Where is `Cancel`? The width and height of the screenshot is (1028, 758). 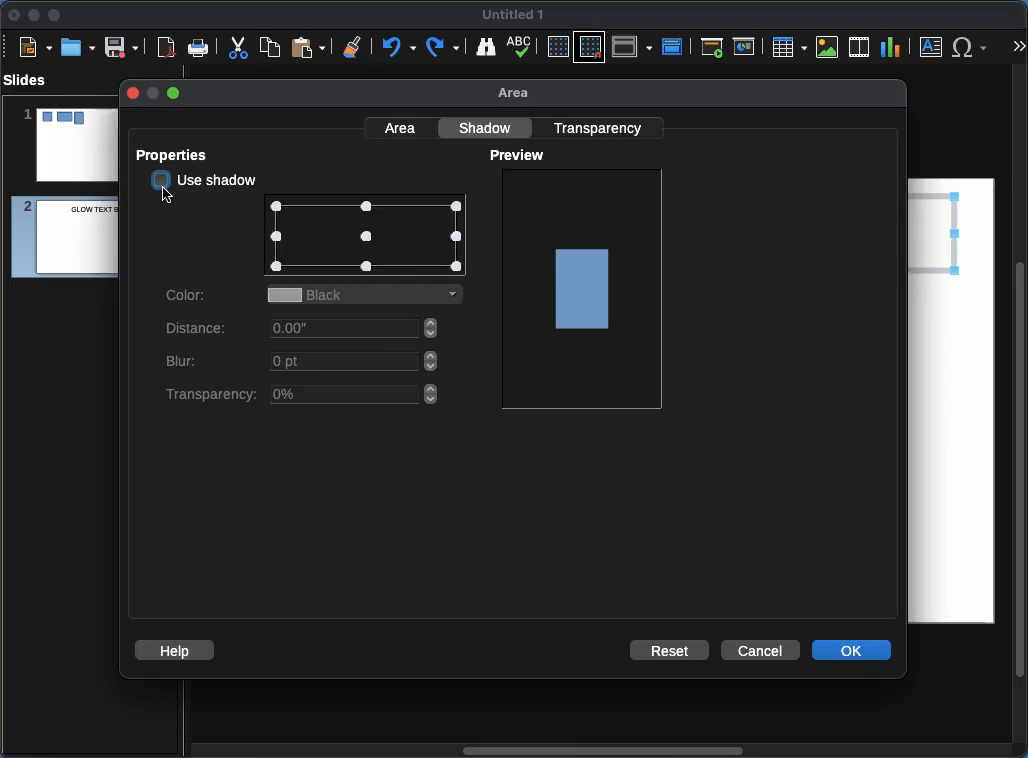
Cancel is located at coordinates (759, 651).